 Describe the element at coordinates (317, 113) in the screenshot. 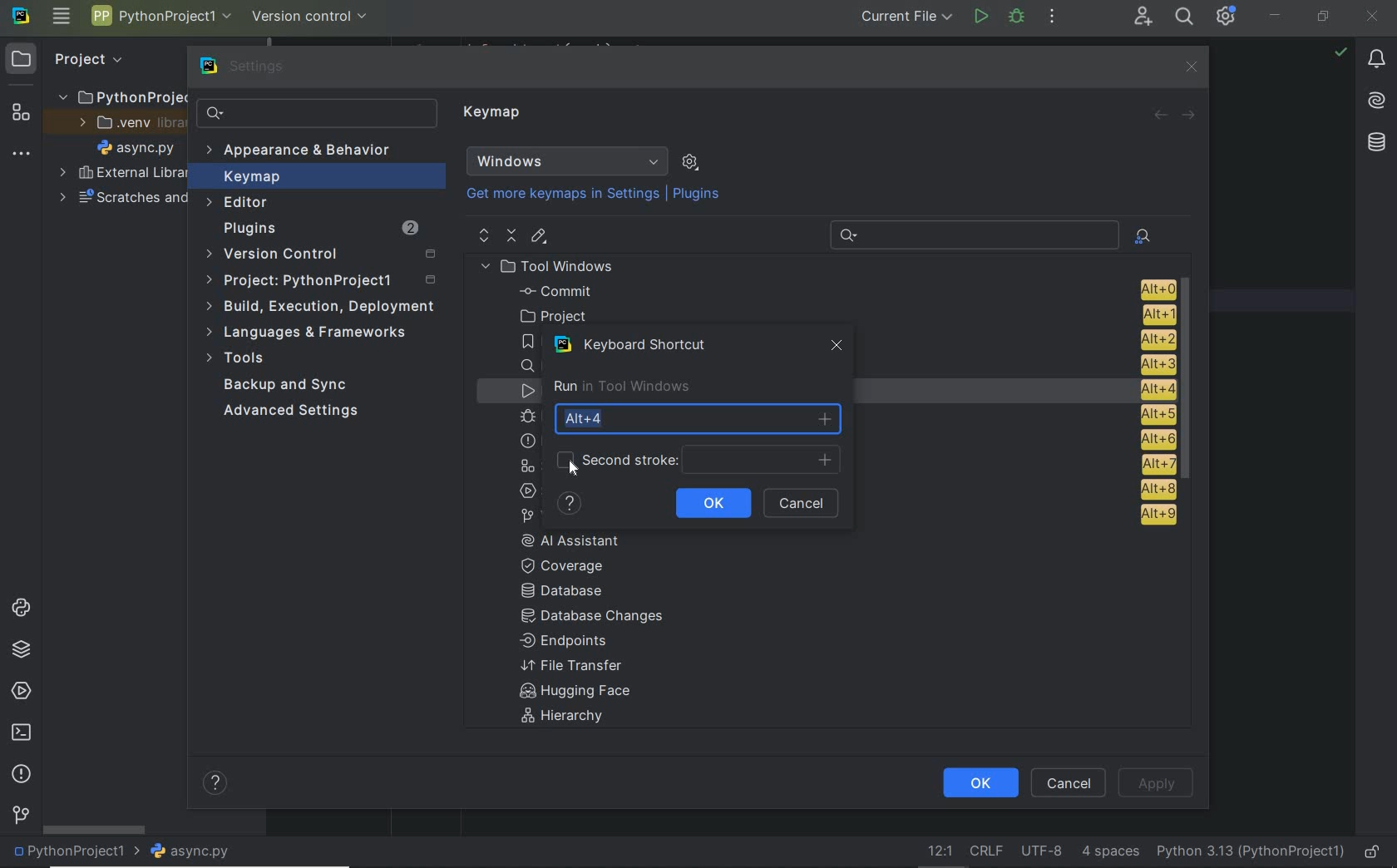

I see `search settings` at that location.